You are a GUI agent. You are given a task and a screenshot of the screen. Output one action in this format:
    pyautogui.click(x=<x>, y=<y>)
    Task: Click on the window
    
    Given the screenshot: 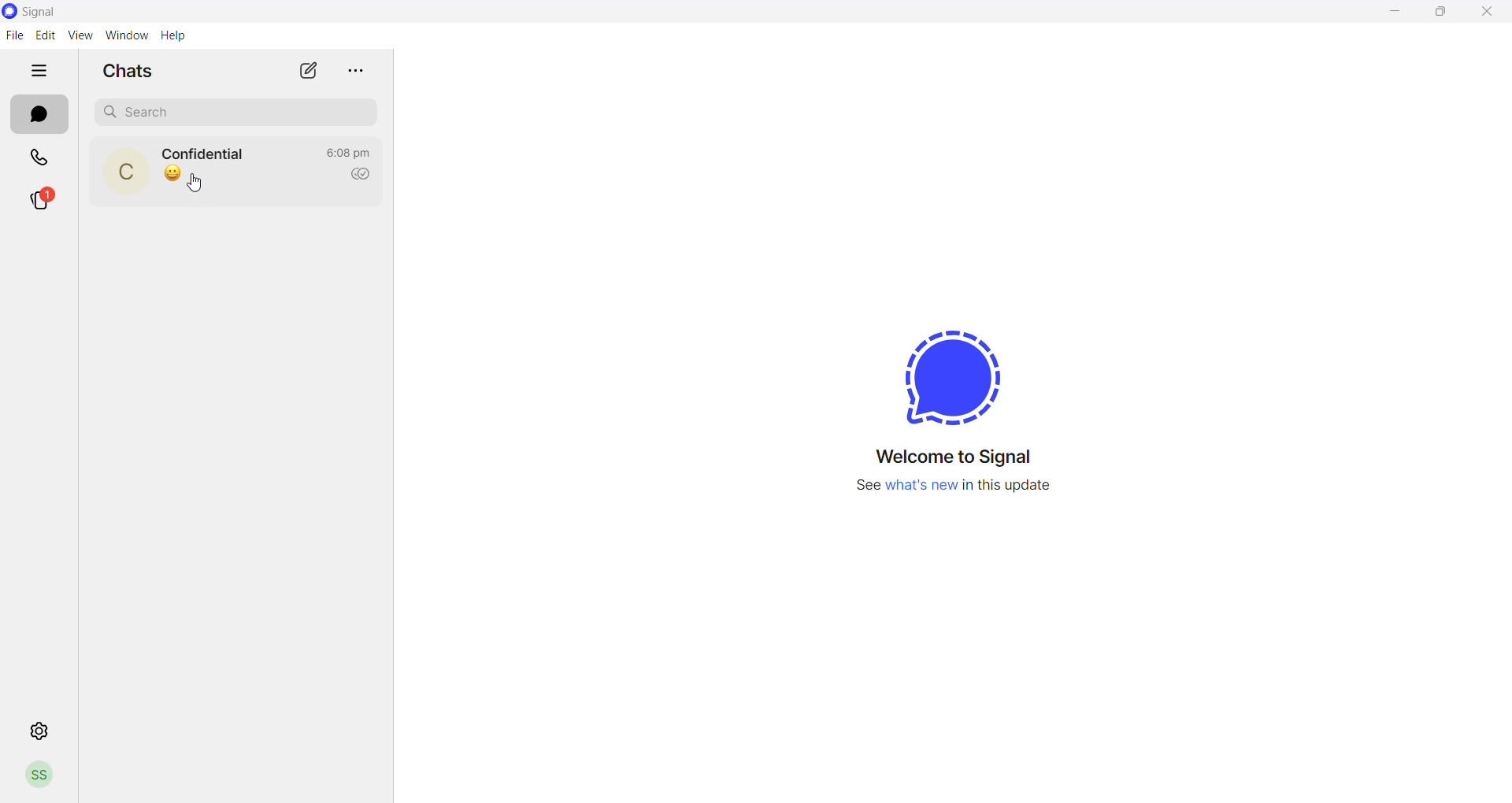 What is the action you would take?
    pyautogui.click(x=129, y=35)
    